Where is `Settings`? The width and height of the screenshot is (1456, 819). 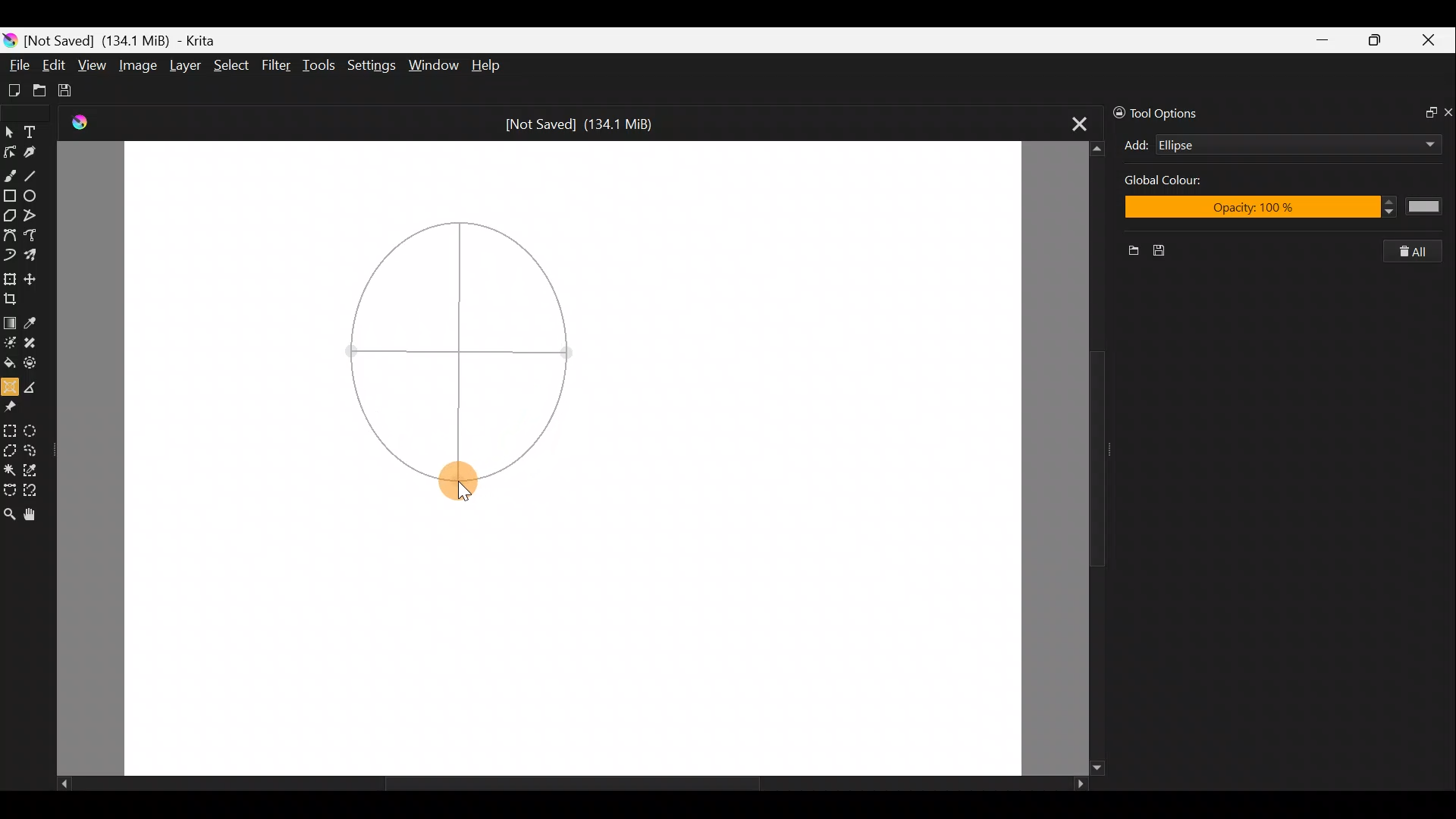
Settings is located at coordinates (370, 64).